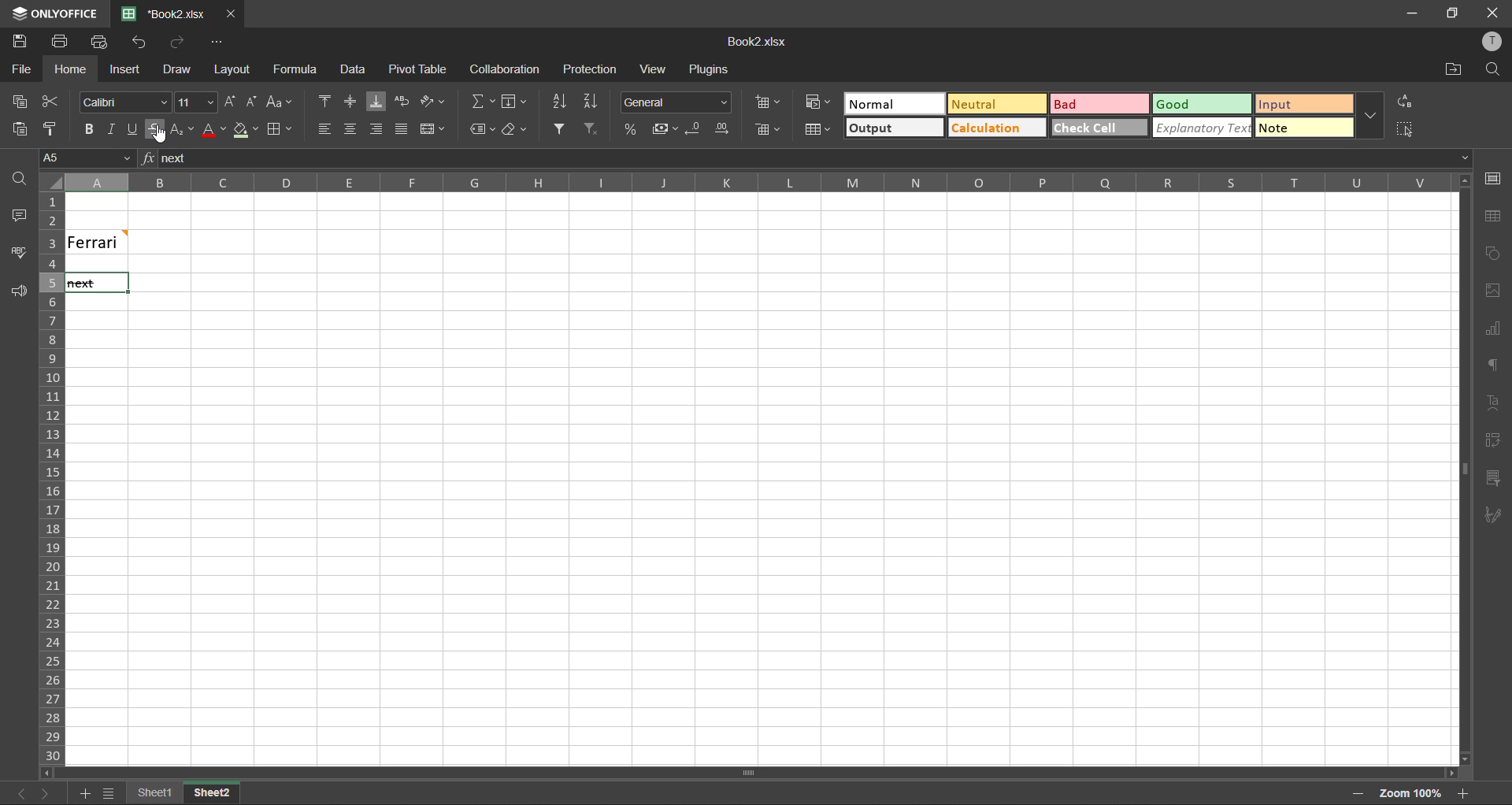 The width and height of the screenshot is (1512, 805). Describe the element at coordinates (561, 100) in the screenshot. I see `sort ascending` at that location.